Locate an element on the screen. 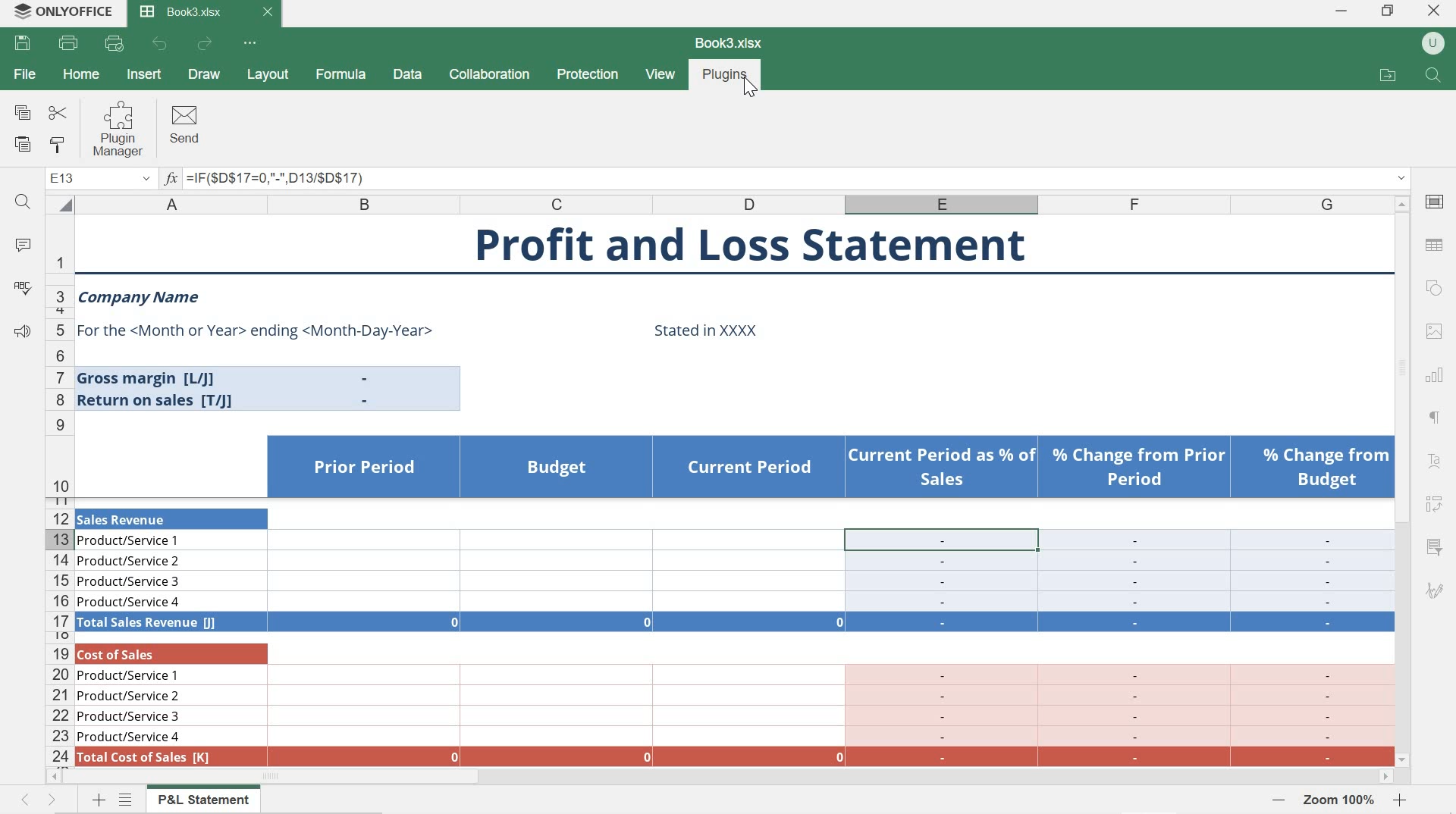 This screenshot has width=1456, height=814. Product/Service 4 is located at coordinates (130, 603).